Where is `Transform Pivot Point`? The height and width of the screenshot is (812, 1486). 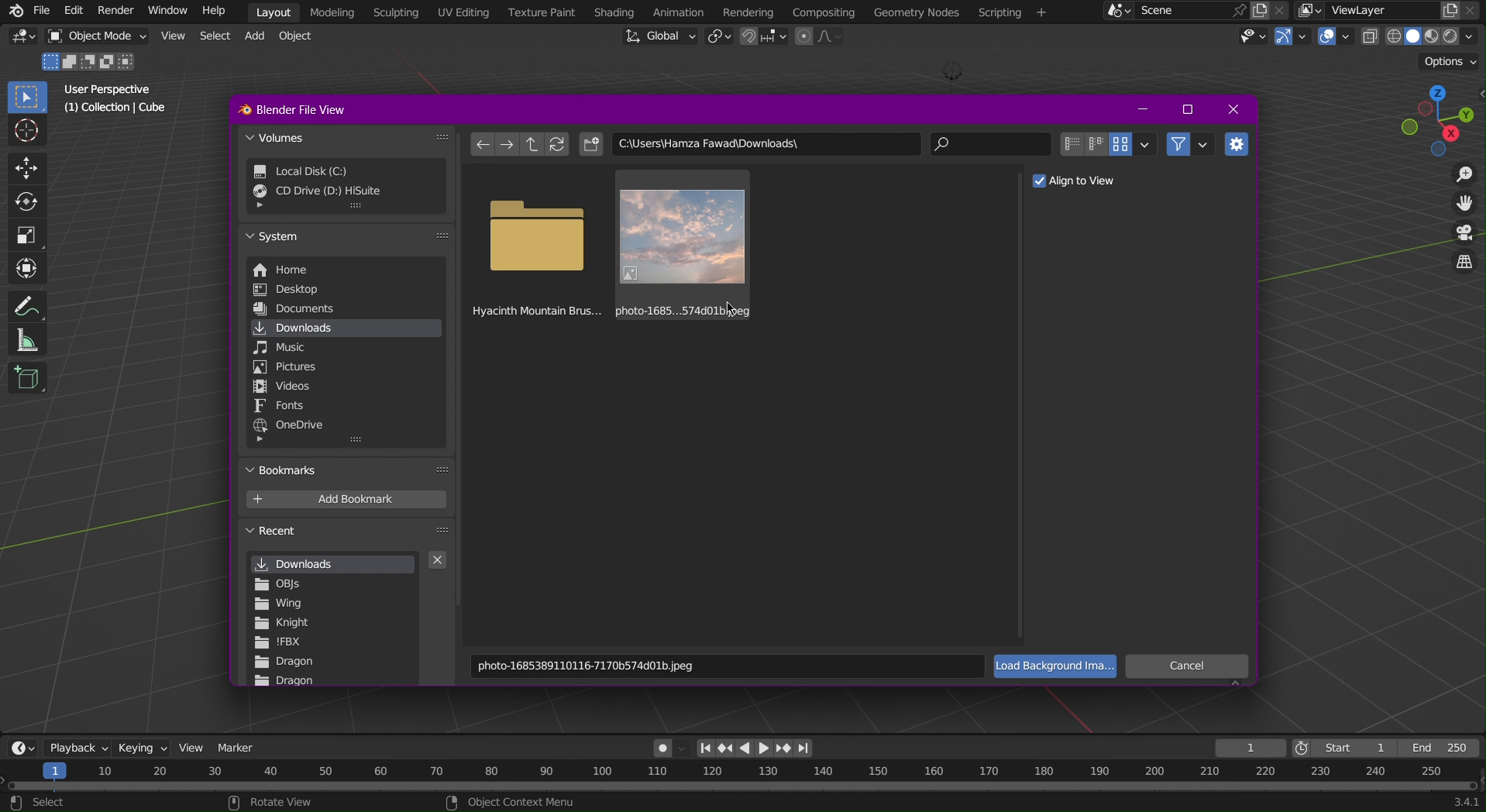
Transform Pivot Point is located at coordinates (717, 39).